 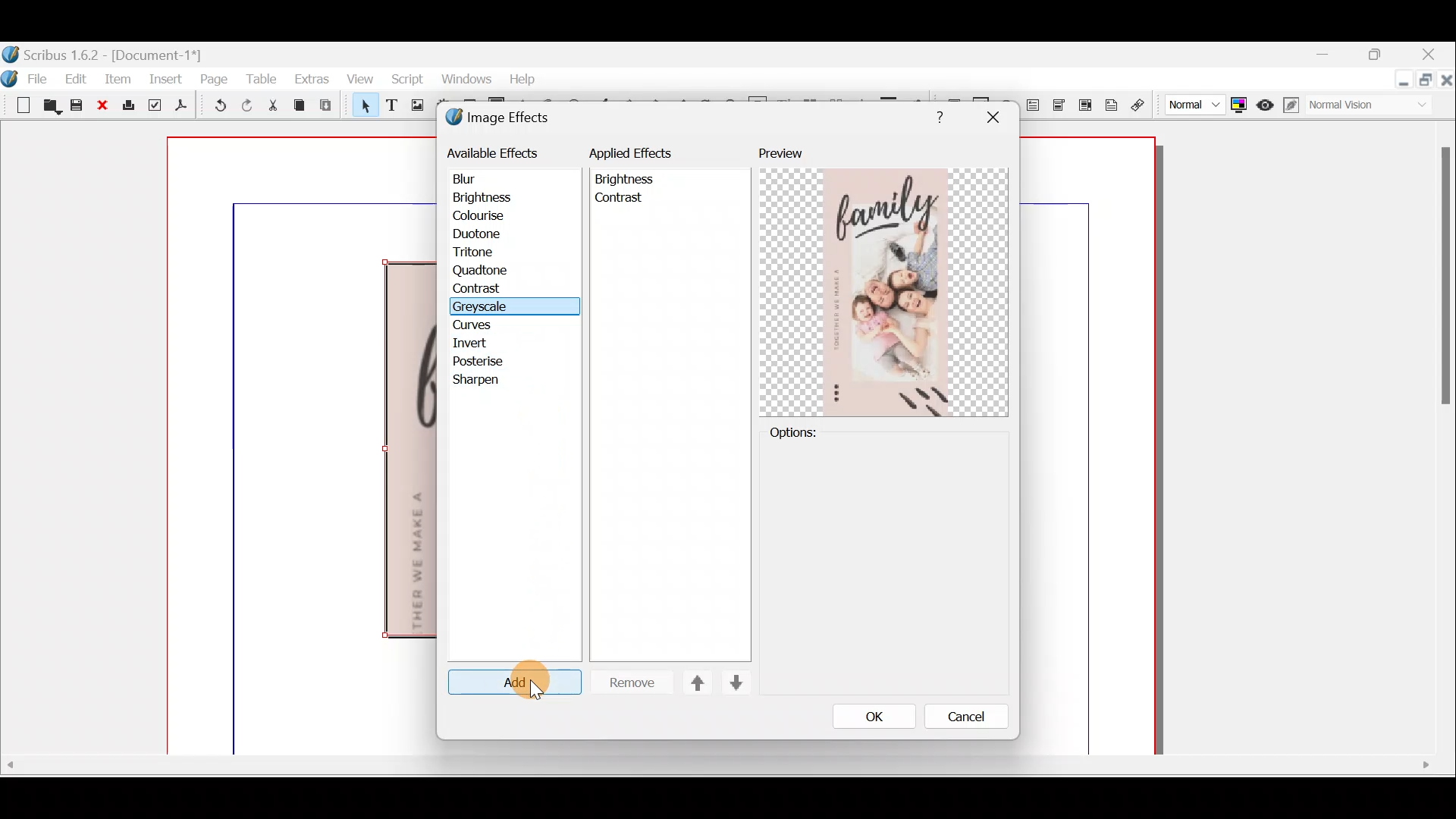 I want to click on Page, so click(x=213, y=81).